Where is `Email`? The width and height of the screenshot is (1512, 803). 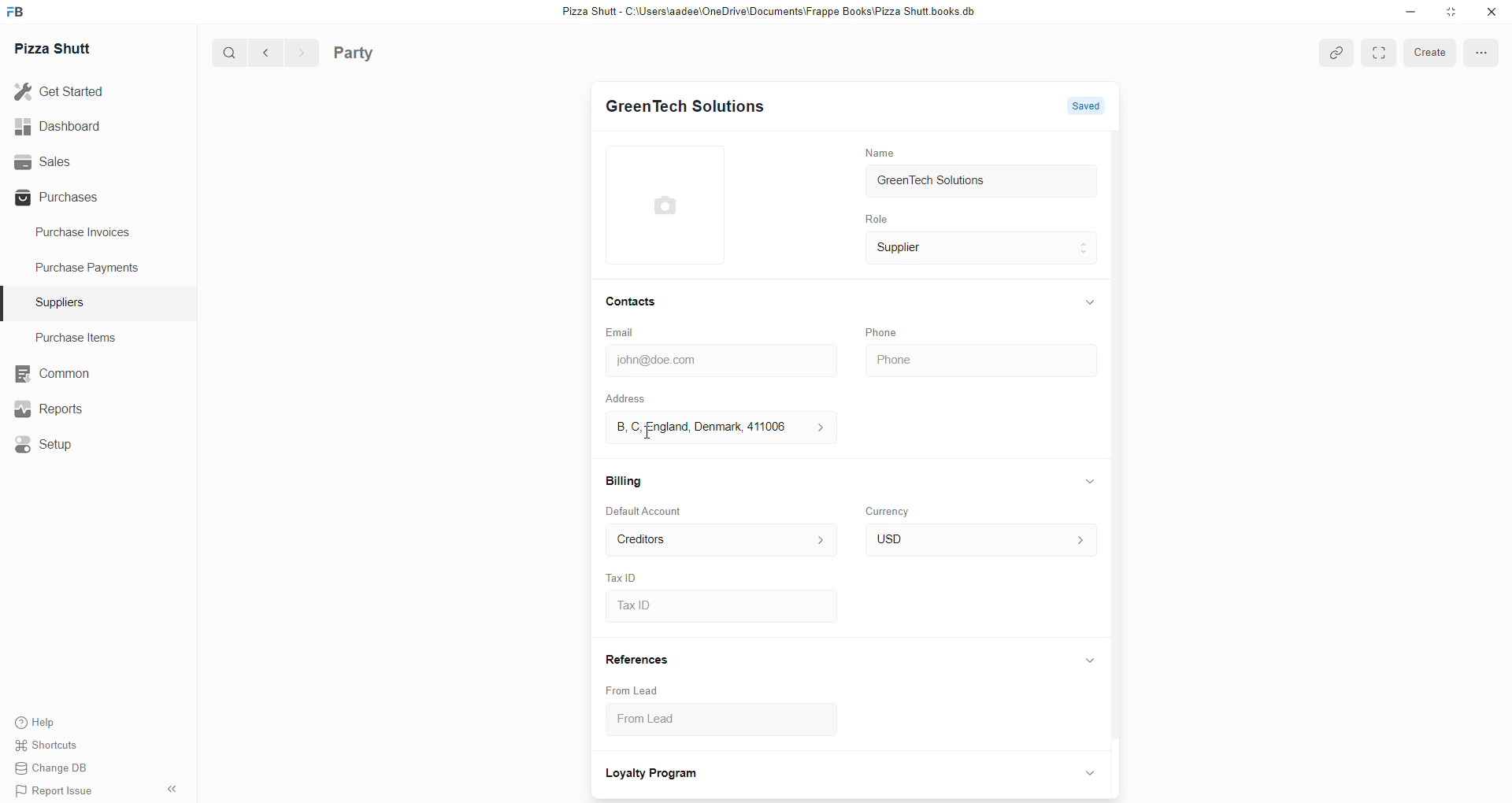 Email is located at coordinates (624, 333).